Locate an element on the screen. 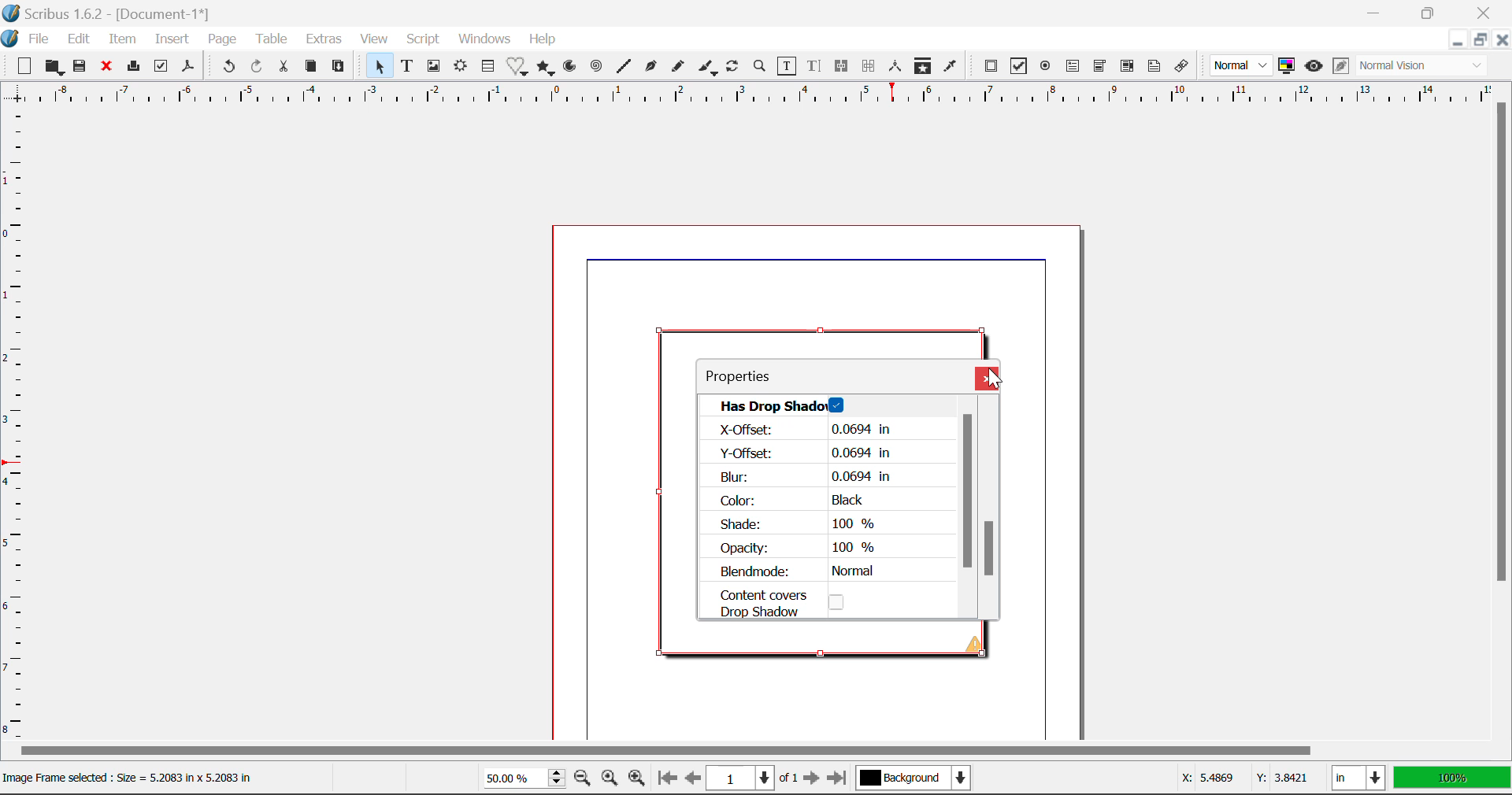  Freehand Line is located at coordinates (680, 70).